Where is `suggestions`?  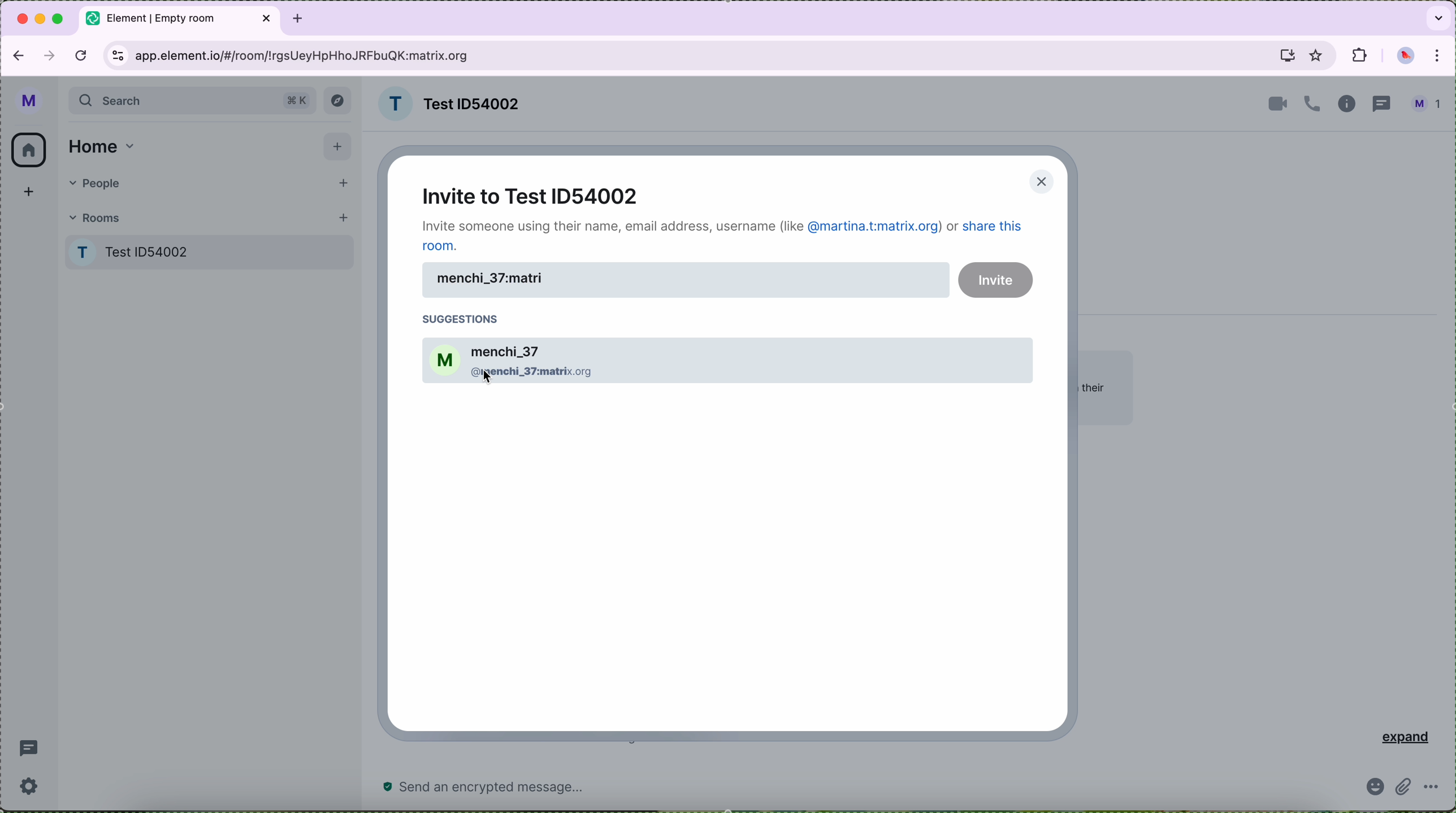
suggestions is located at coordinates (466, 318).